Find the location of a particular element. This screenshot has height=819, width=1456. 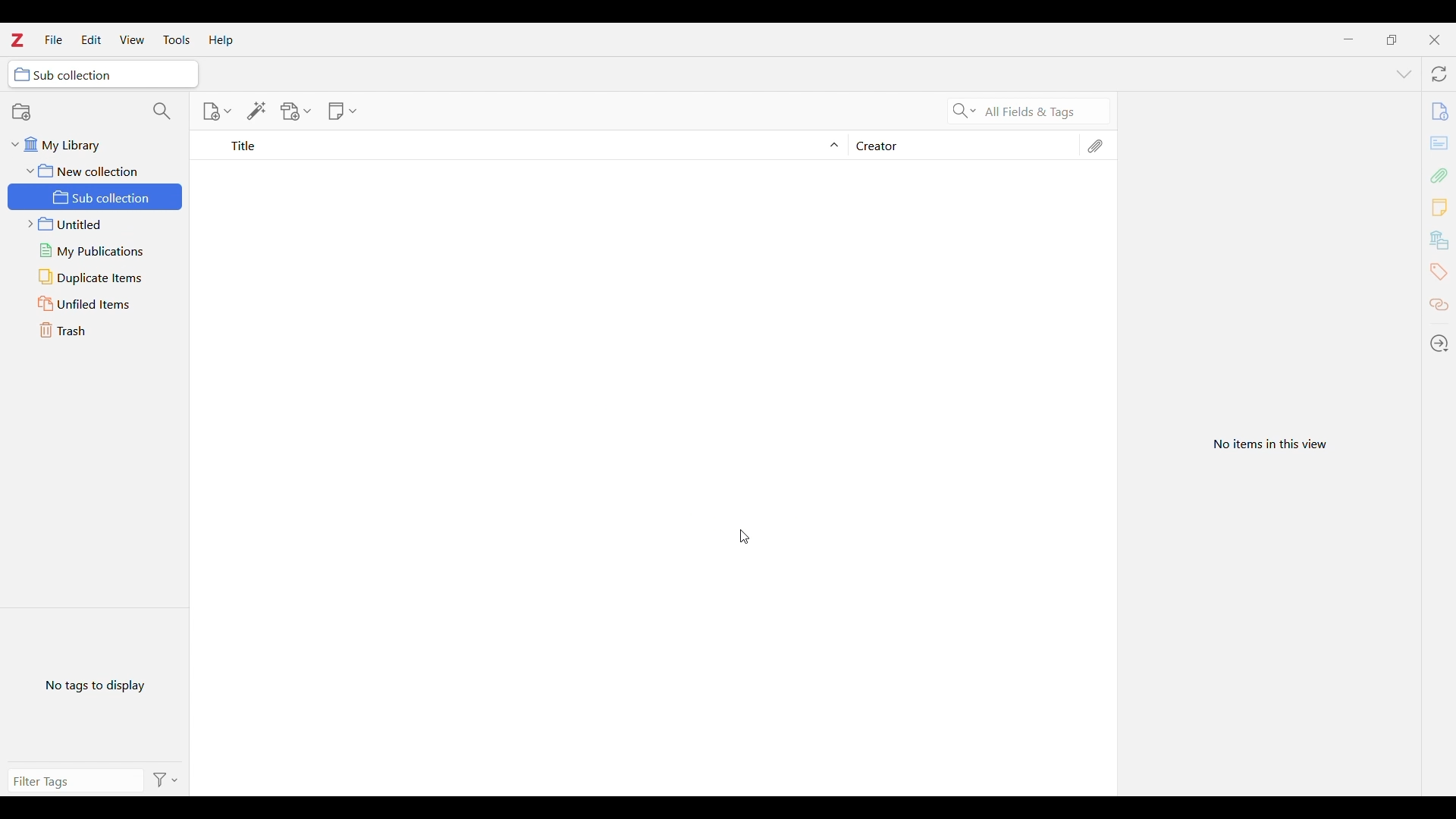

Unfiled items folder is located at coordinates (95, 277).